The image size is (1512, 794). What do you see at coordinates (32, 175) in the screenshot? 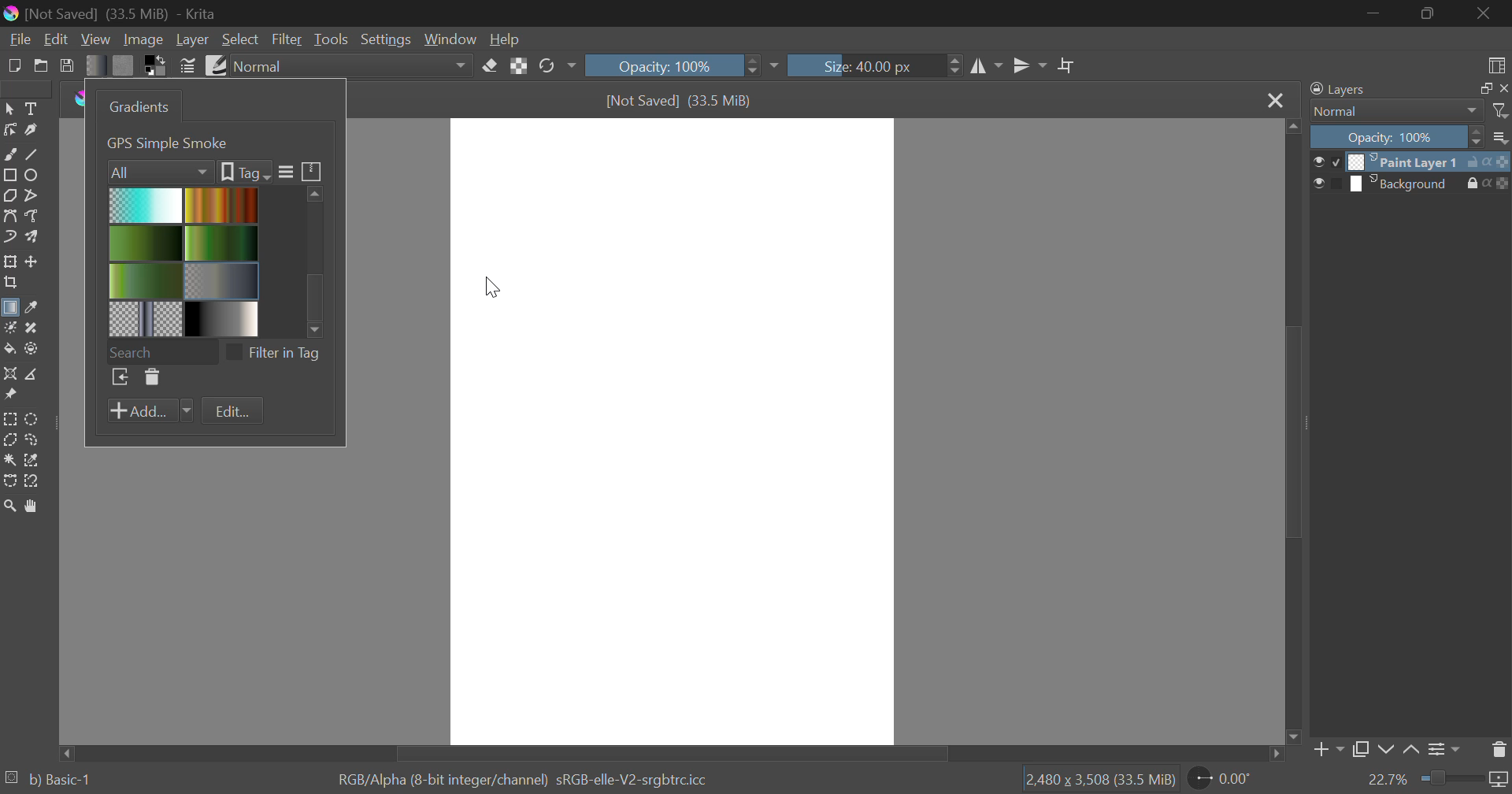
I see `Ellipses` at bounding box center [32, 175].